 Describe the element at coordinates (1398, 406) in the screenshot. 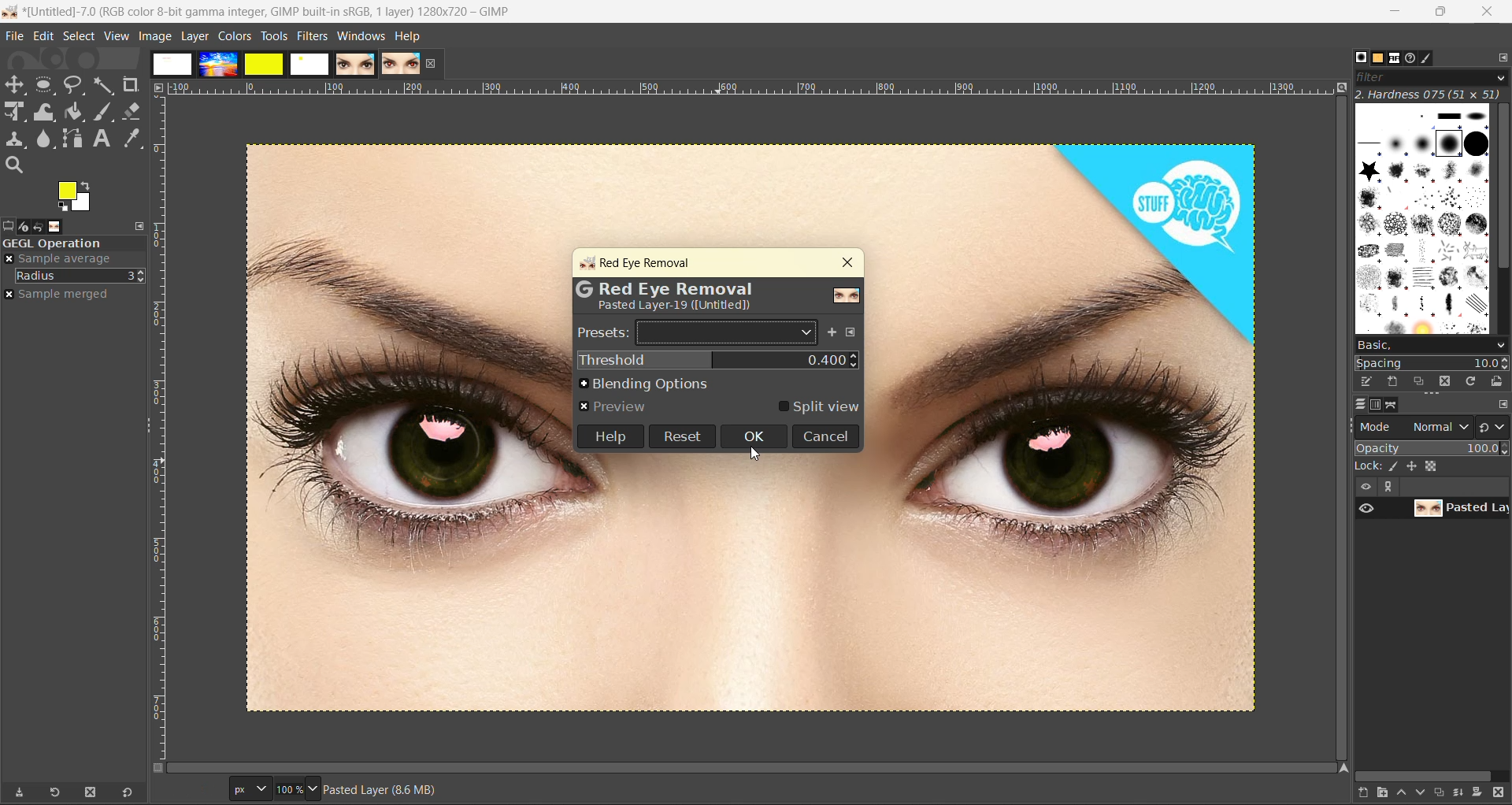

I see `path` at that location.